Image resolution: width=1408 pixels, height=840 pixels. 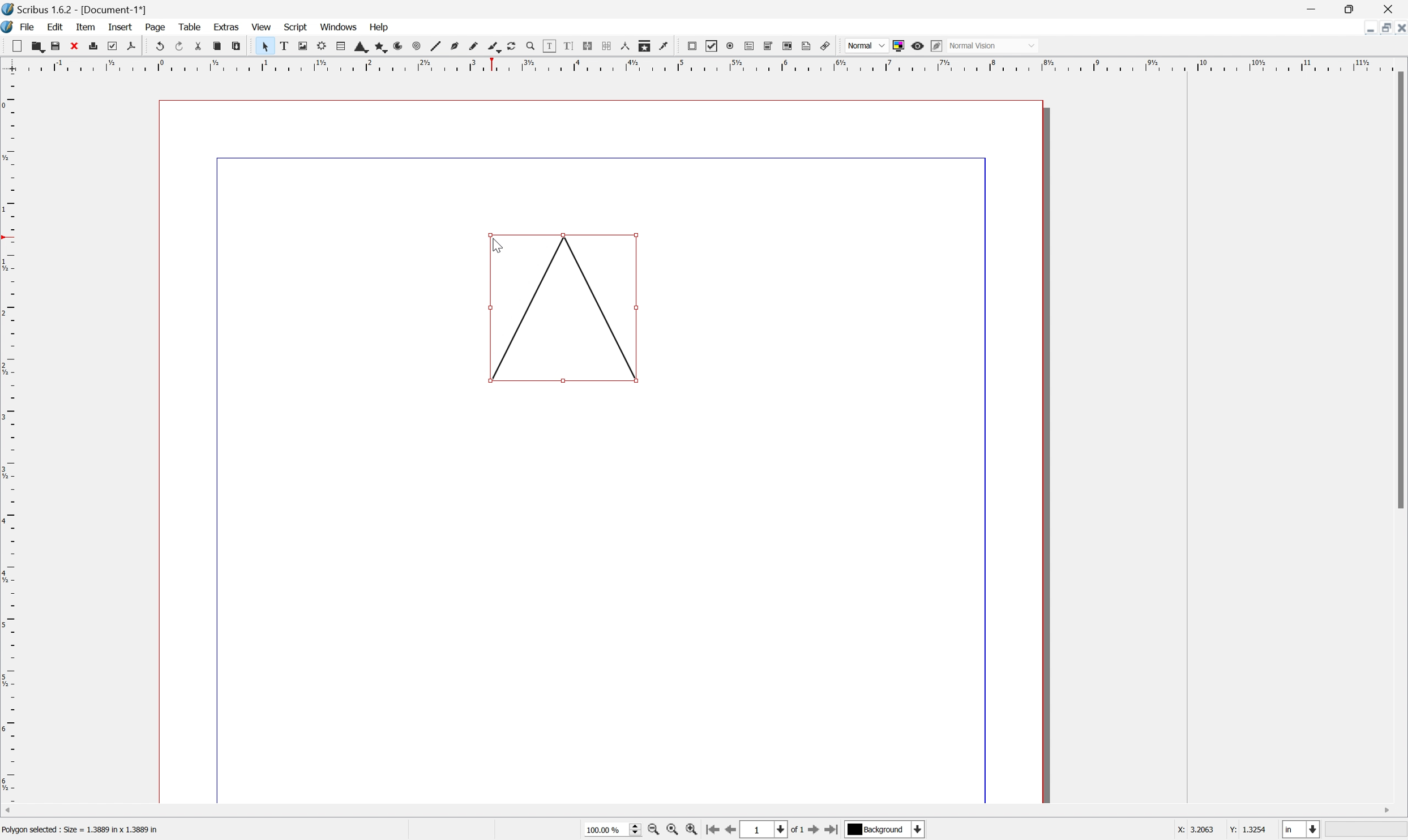 I want to click on Normal, so click(x=867, y=45).